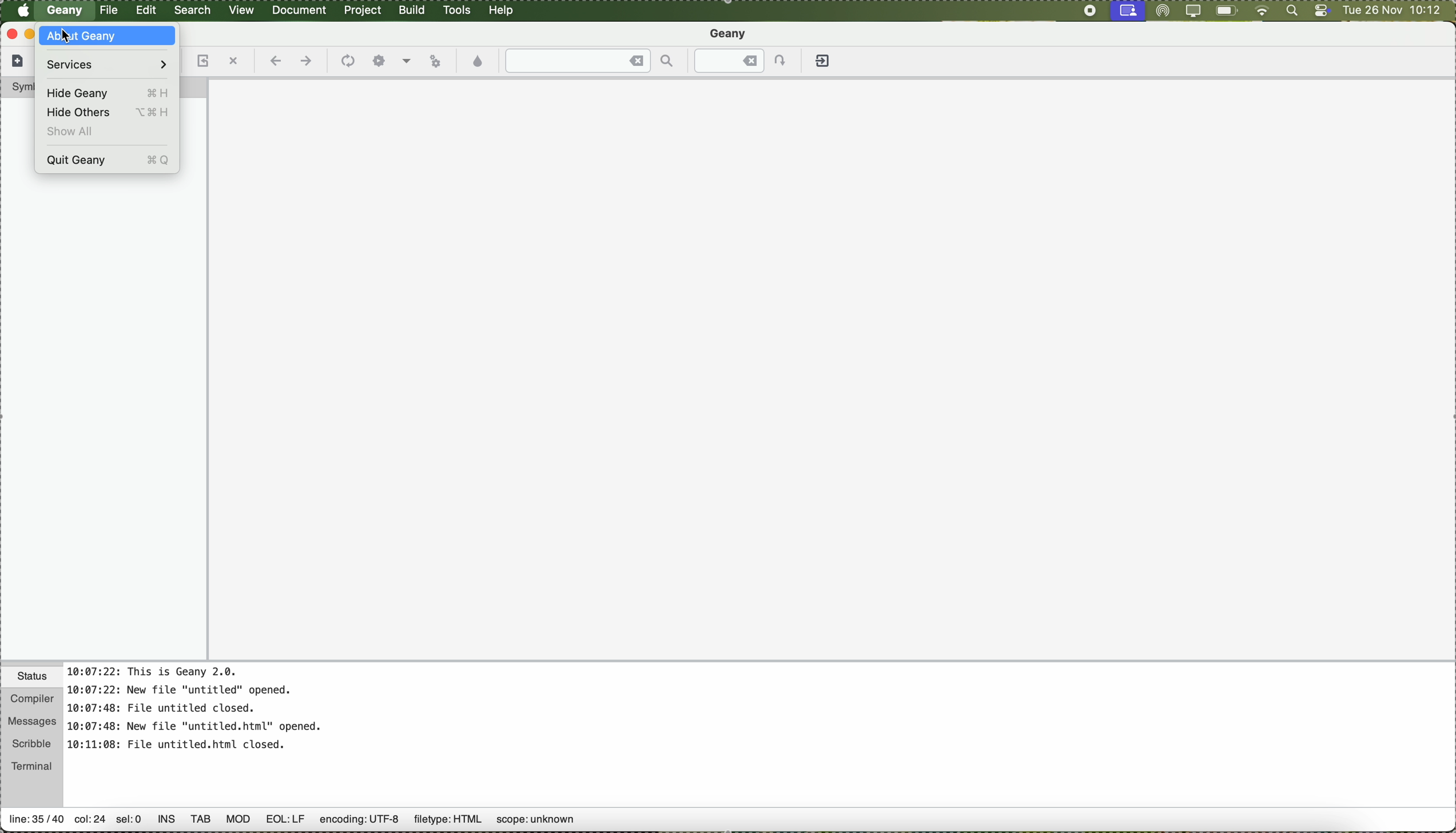  Describe the element at coordinates (88, 819) in the screenshot. I see `col:24` at that location.